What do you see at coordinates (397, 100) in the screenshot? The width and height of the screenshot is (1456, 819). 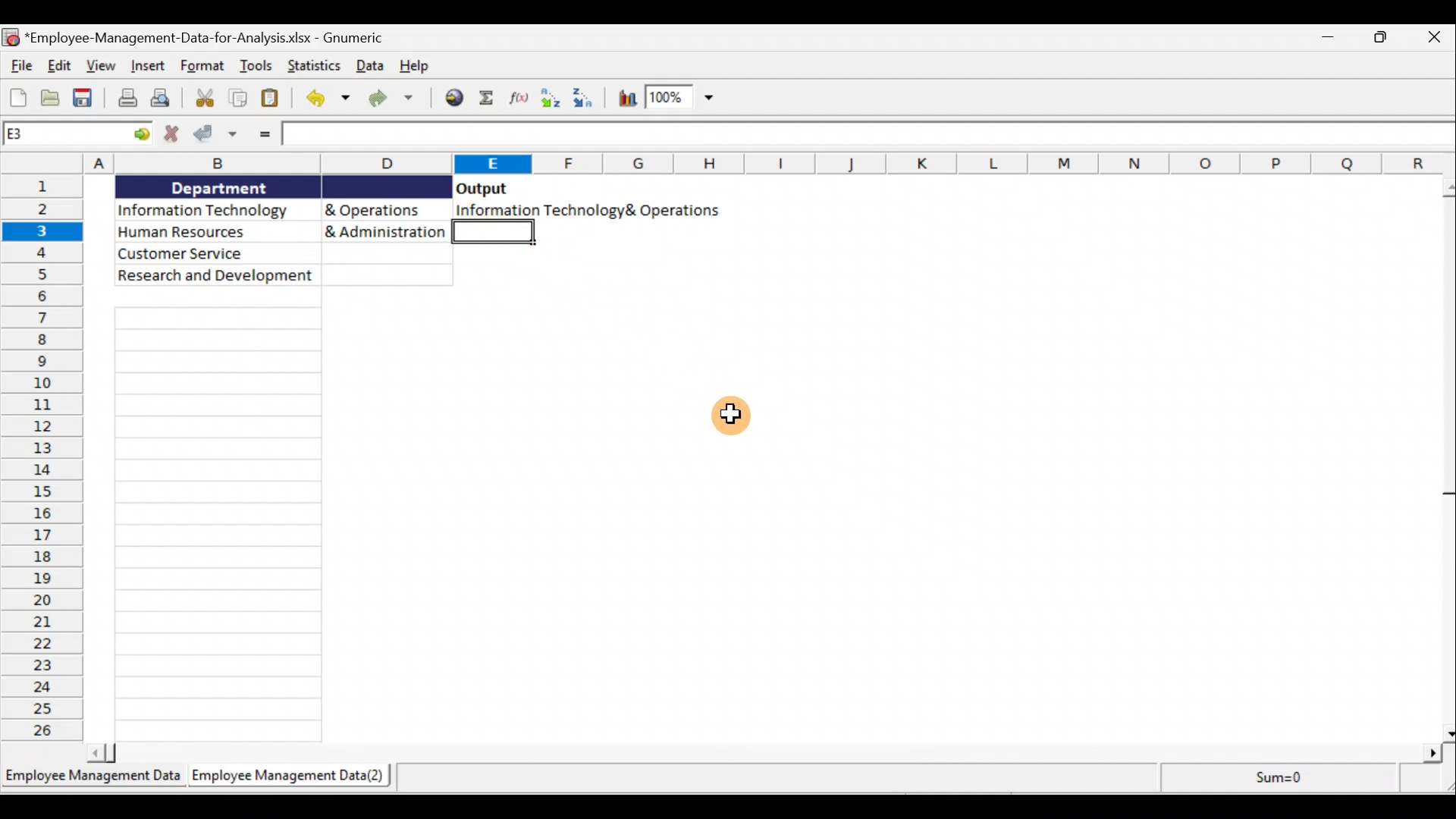 I see `Redo undone action` at bounding box center [397, 100].